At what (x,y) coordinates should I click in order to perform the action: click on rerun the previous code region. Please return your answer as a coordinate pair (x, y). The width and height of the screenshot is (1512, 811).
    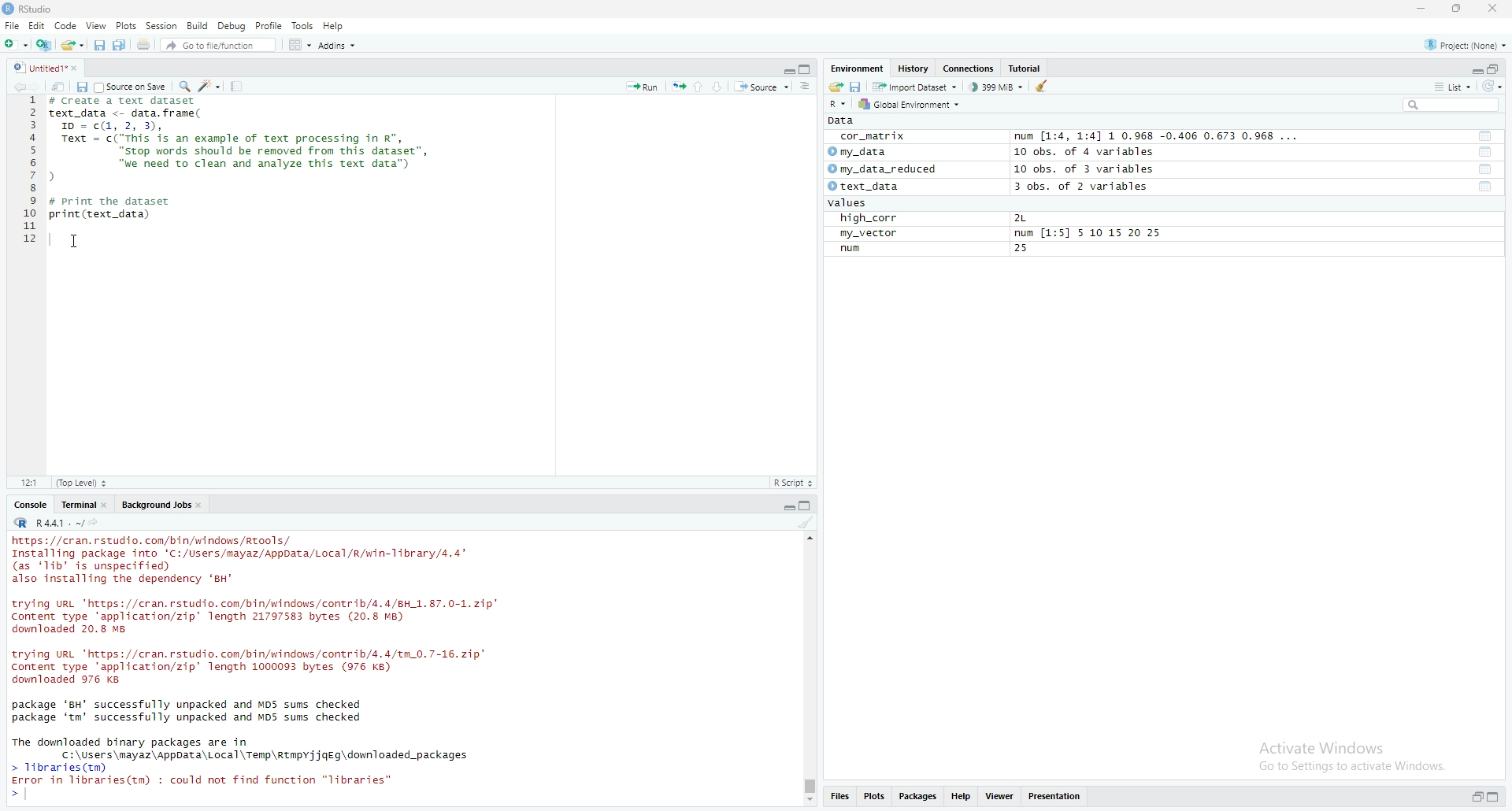
    Looking at the image, I should click on (678, 86).